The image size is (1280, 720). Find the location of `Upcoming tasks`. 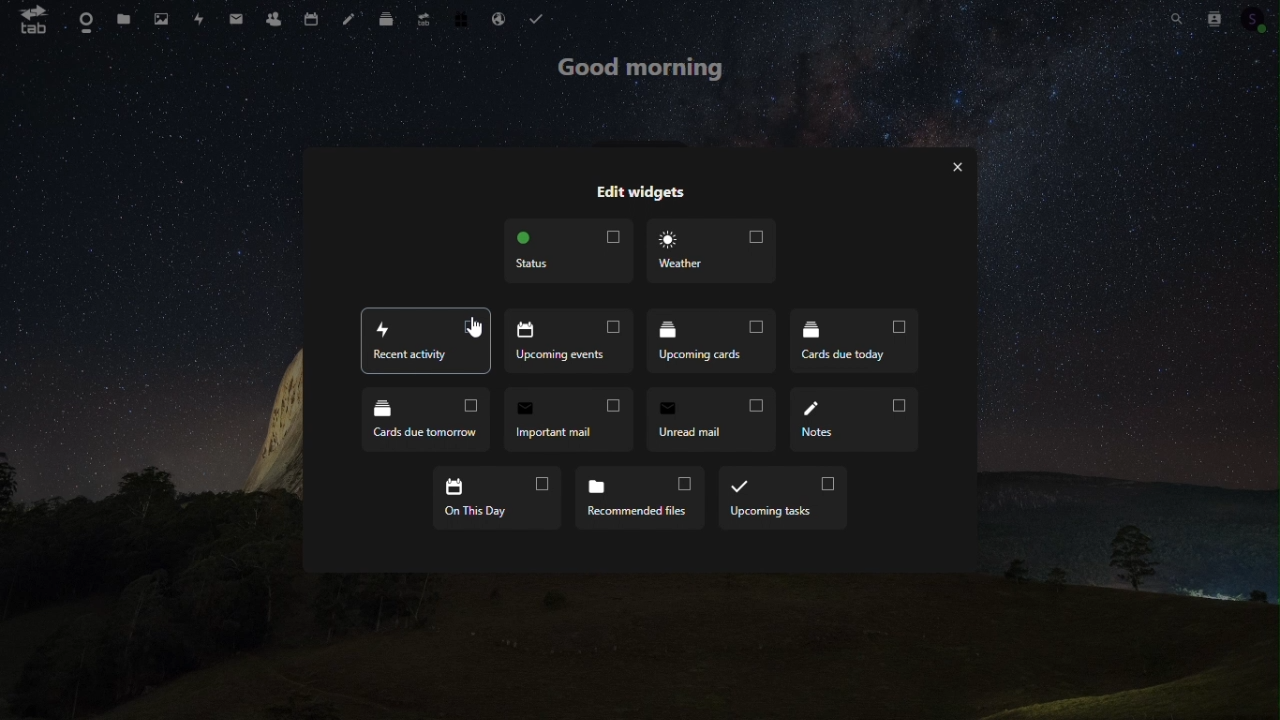

Upcoming tasks is located at coordinates (783, 498).